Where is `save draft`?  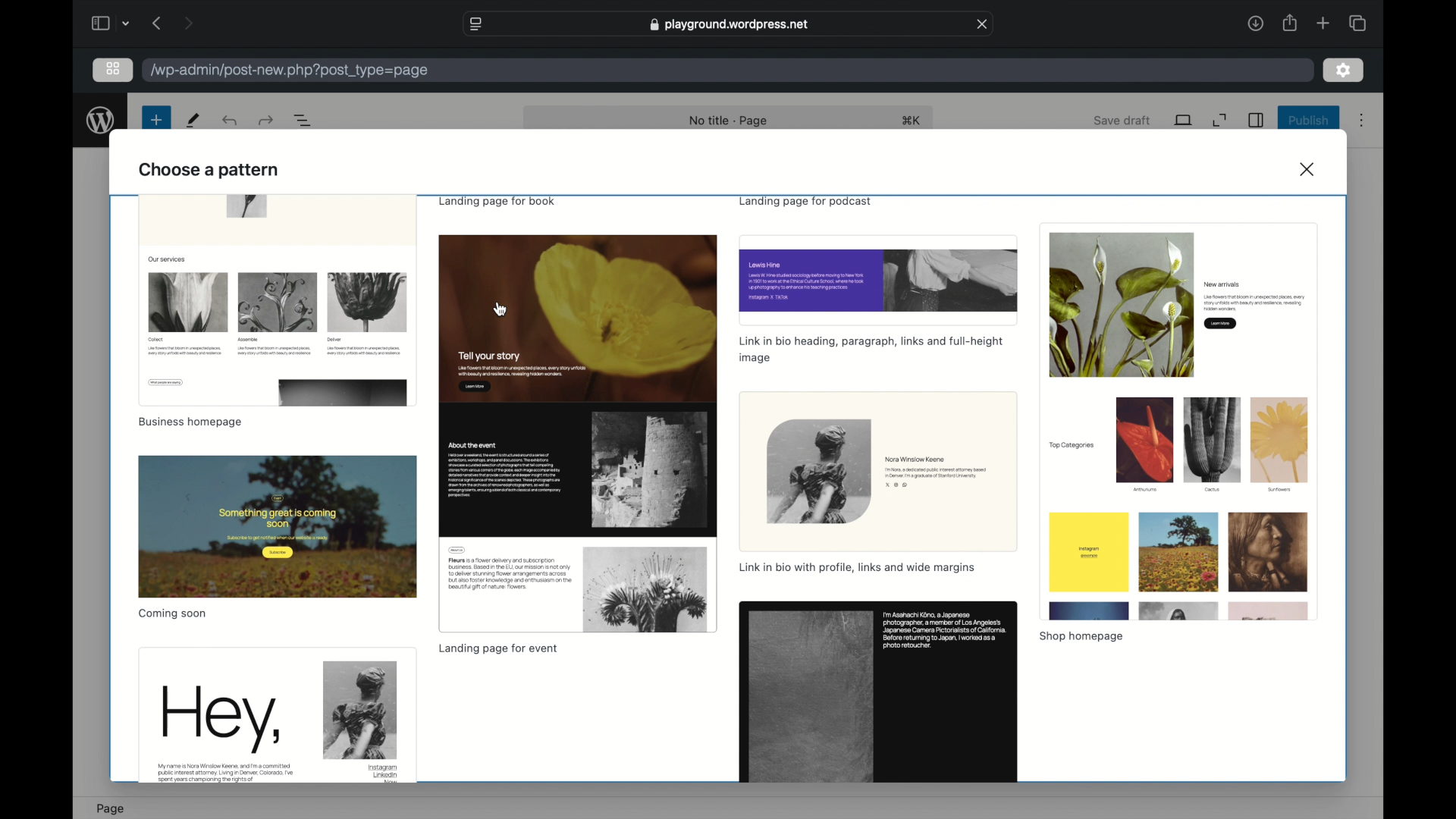
save draft is located at coordinates (1124, 121).